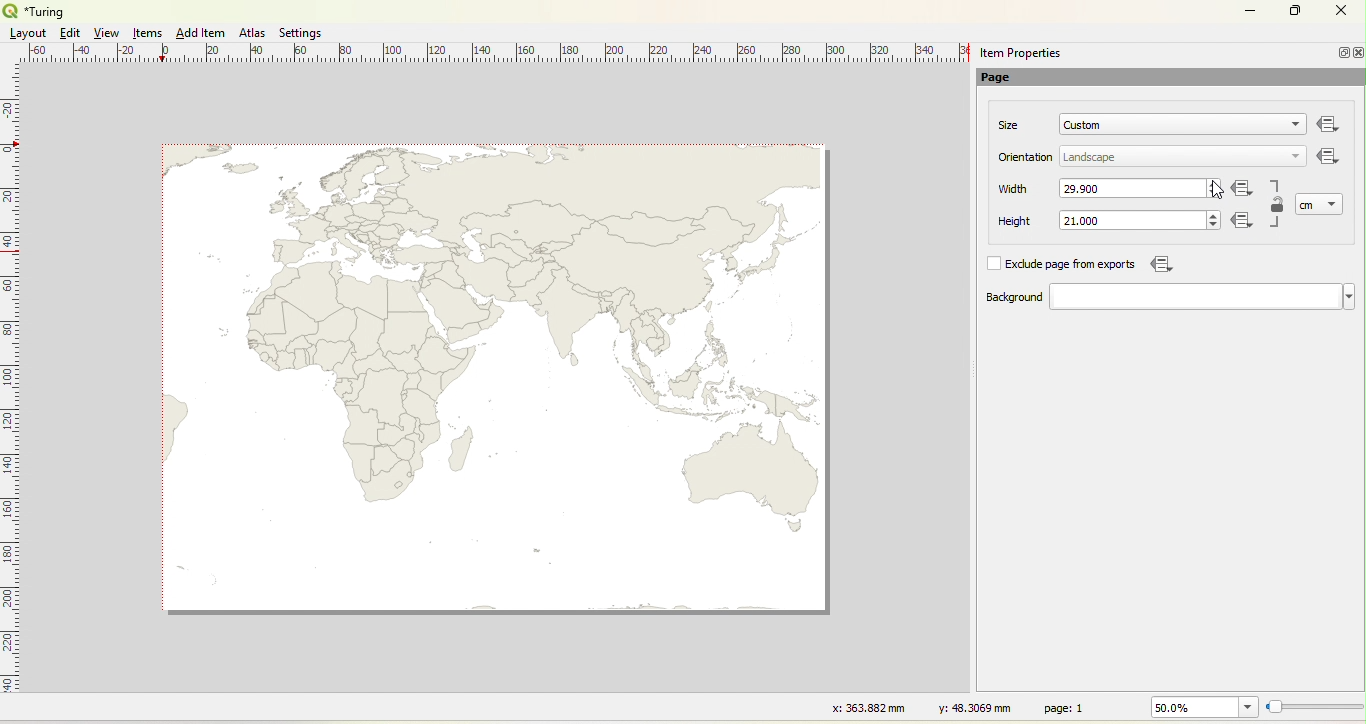 This screenshot has height=724, width=1366. I want to click on dropdown, so click(1291, 126).